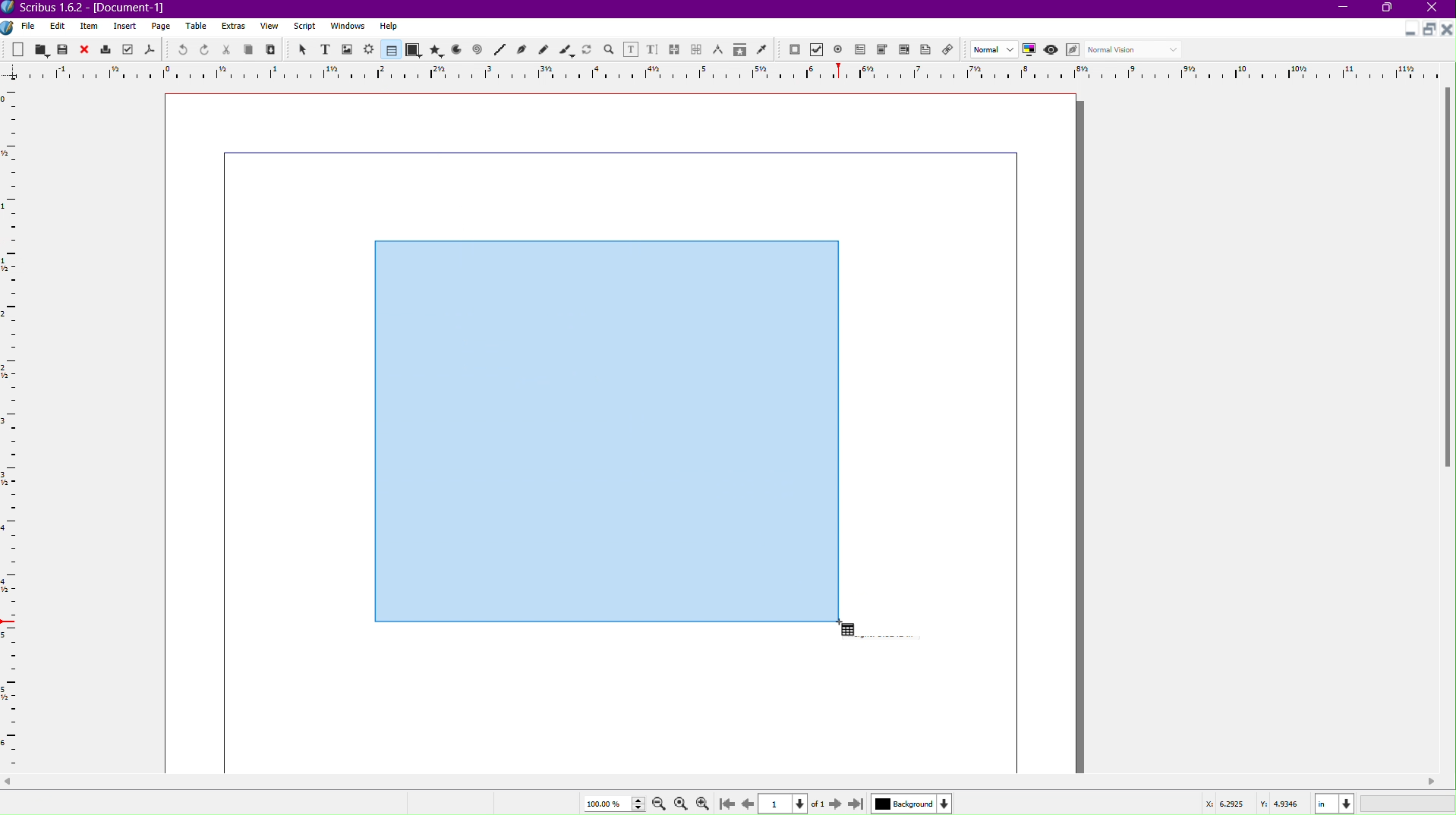 This screenshot has width=1456, height=815. Describe the element at coordinates (1344, 9) in the screenshot. I see `Minimize` at that location.